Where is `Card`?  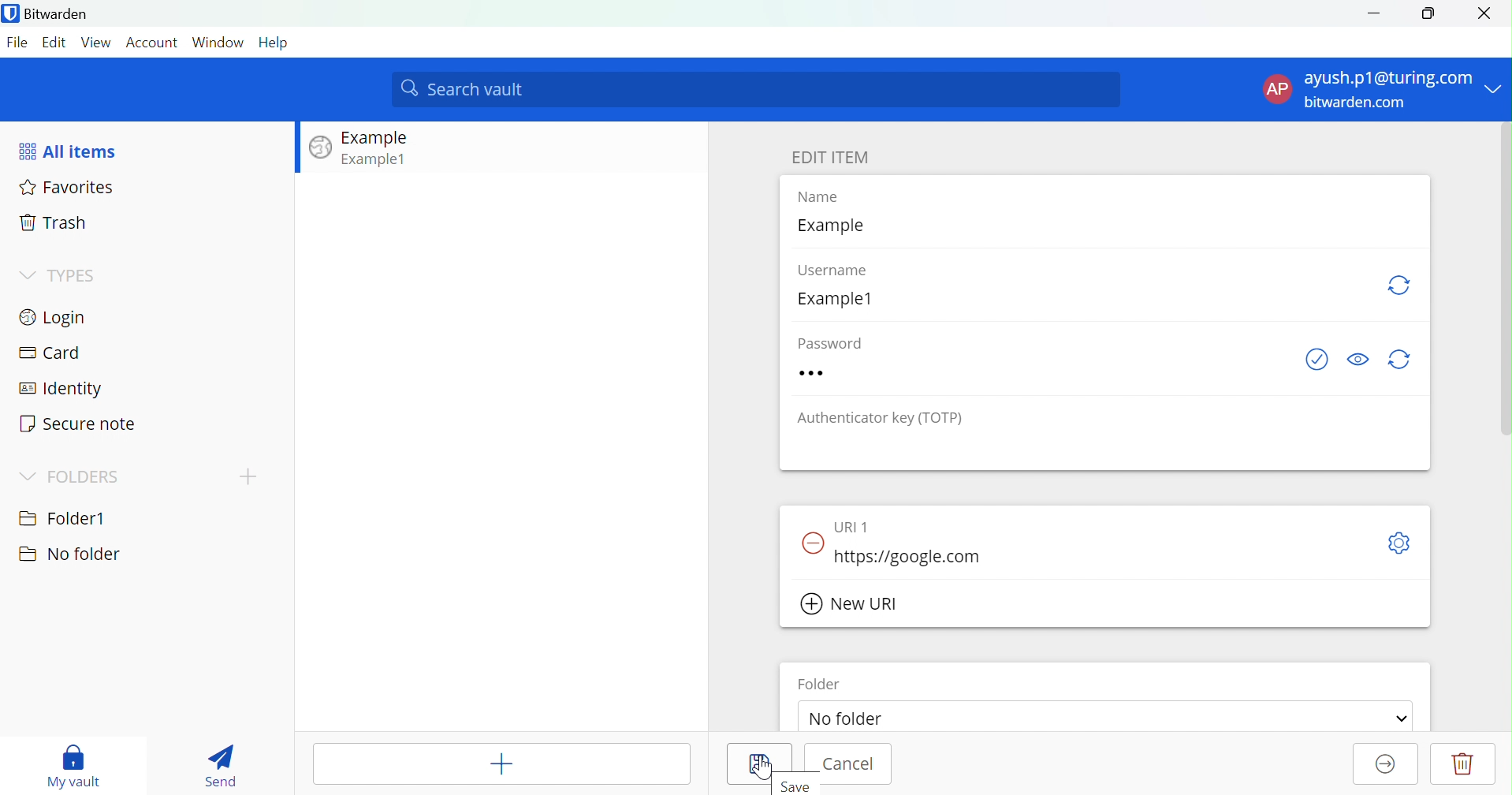
Card is located at coordinates (50, 353).